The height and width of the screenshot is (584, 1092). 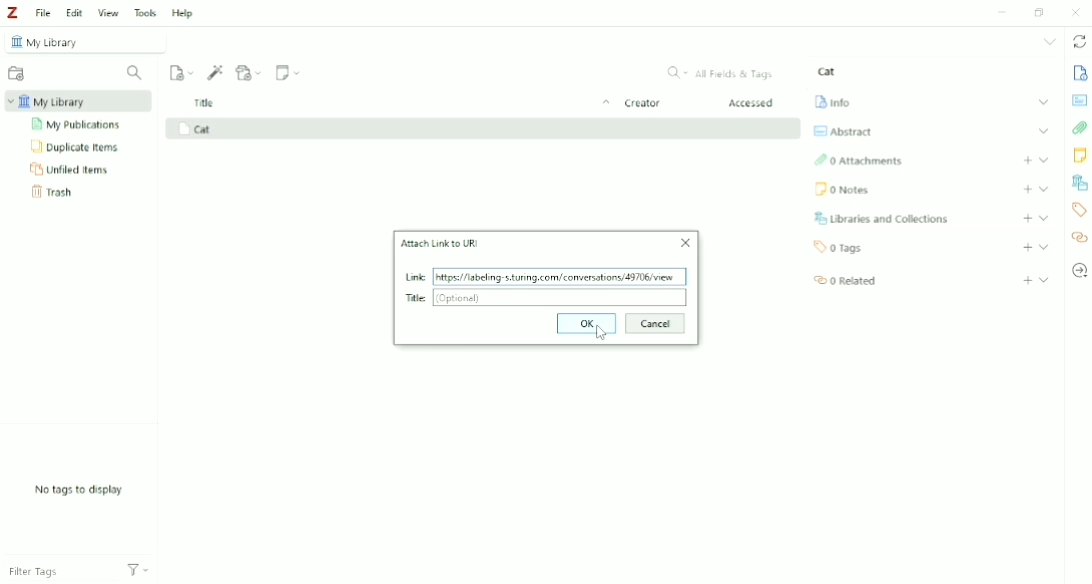 I want to click on Edit, so click(x=74, y=13).